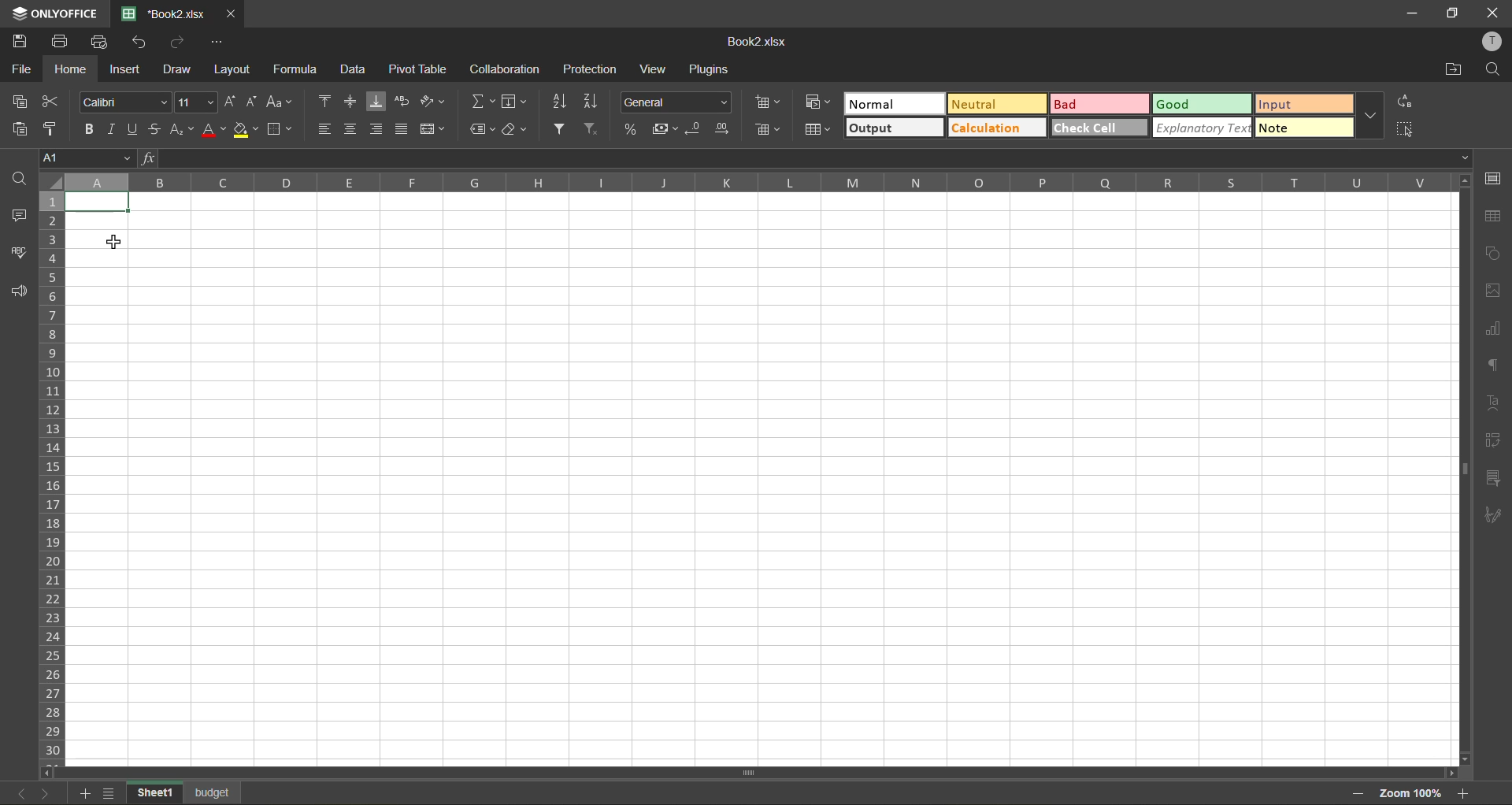 The width and height of the screenshot is (1512, 805). Describe the element at coordinates (113, 126) in the screenshot. I see `italic` at that location.